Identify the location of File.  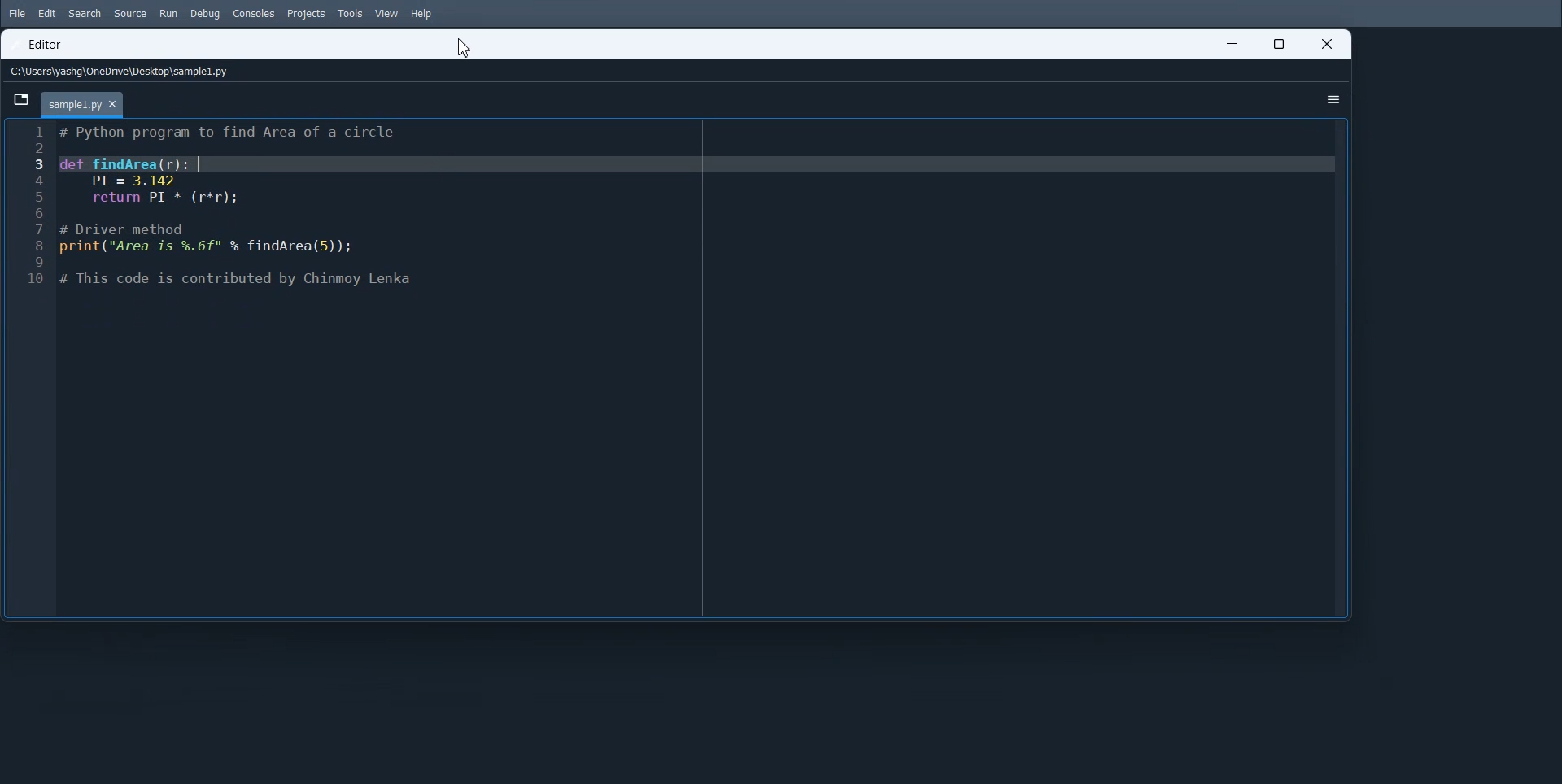
(15, 13).